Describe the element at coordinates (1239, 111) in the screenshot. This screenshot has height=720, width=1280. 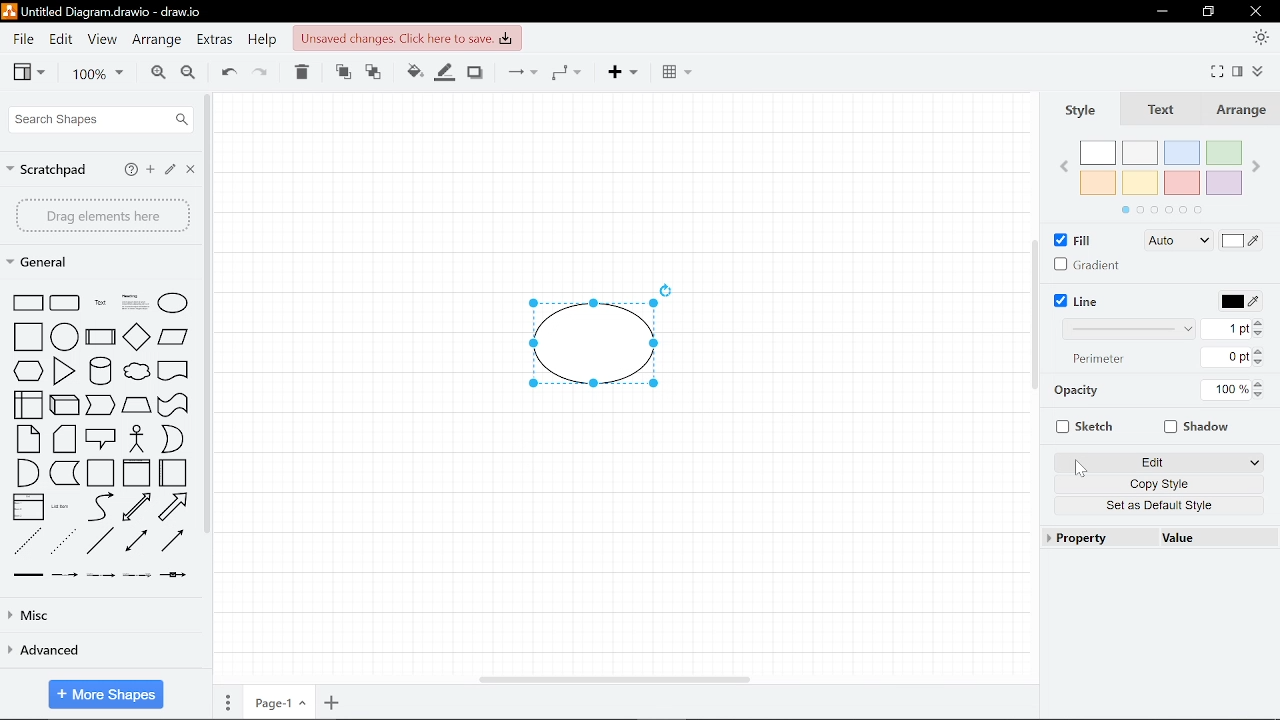
I see `Arrange` at that location.